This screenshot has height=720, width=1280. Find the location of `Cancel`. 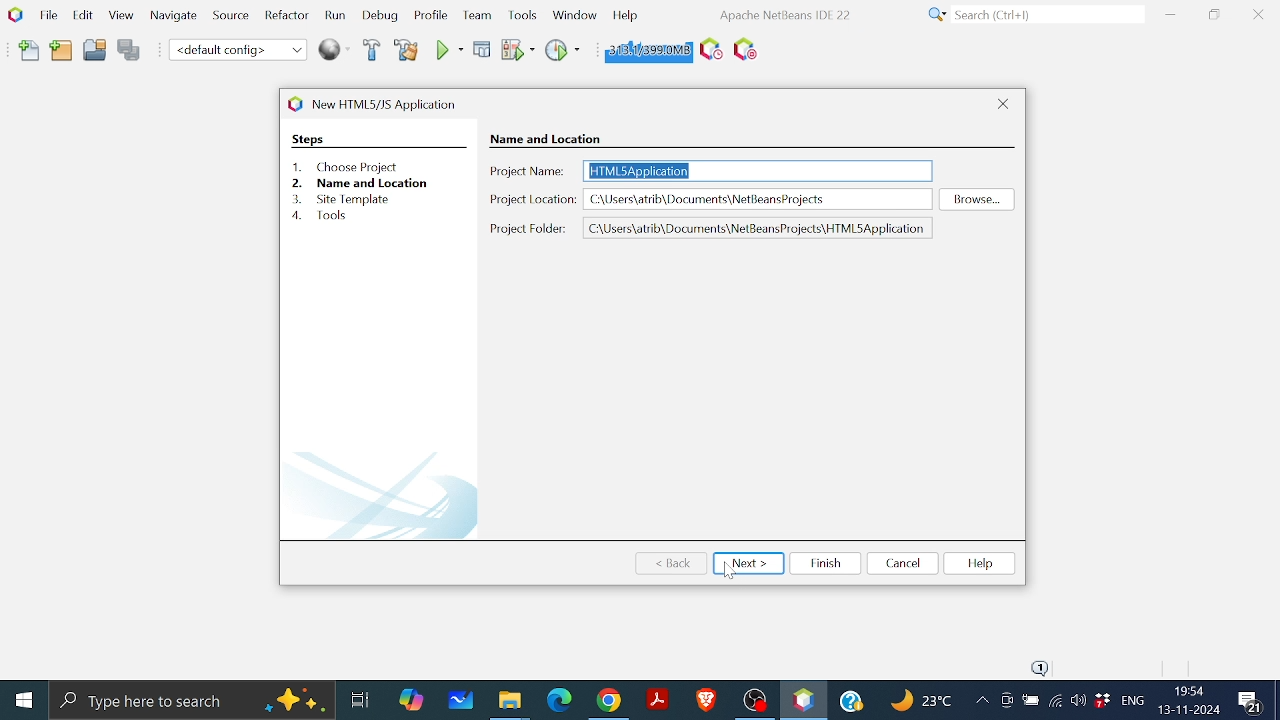

Cancel is located at coordinates (901, 562).